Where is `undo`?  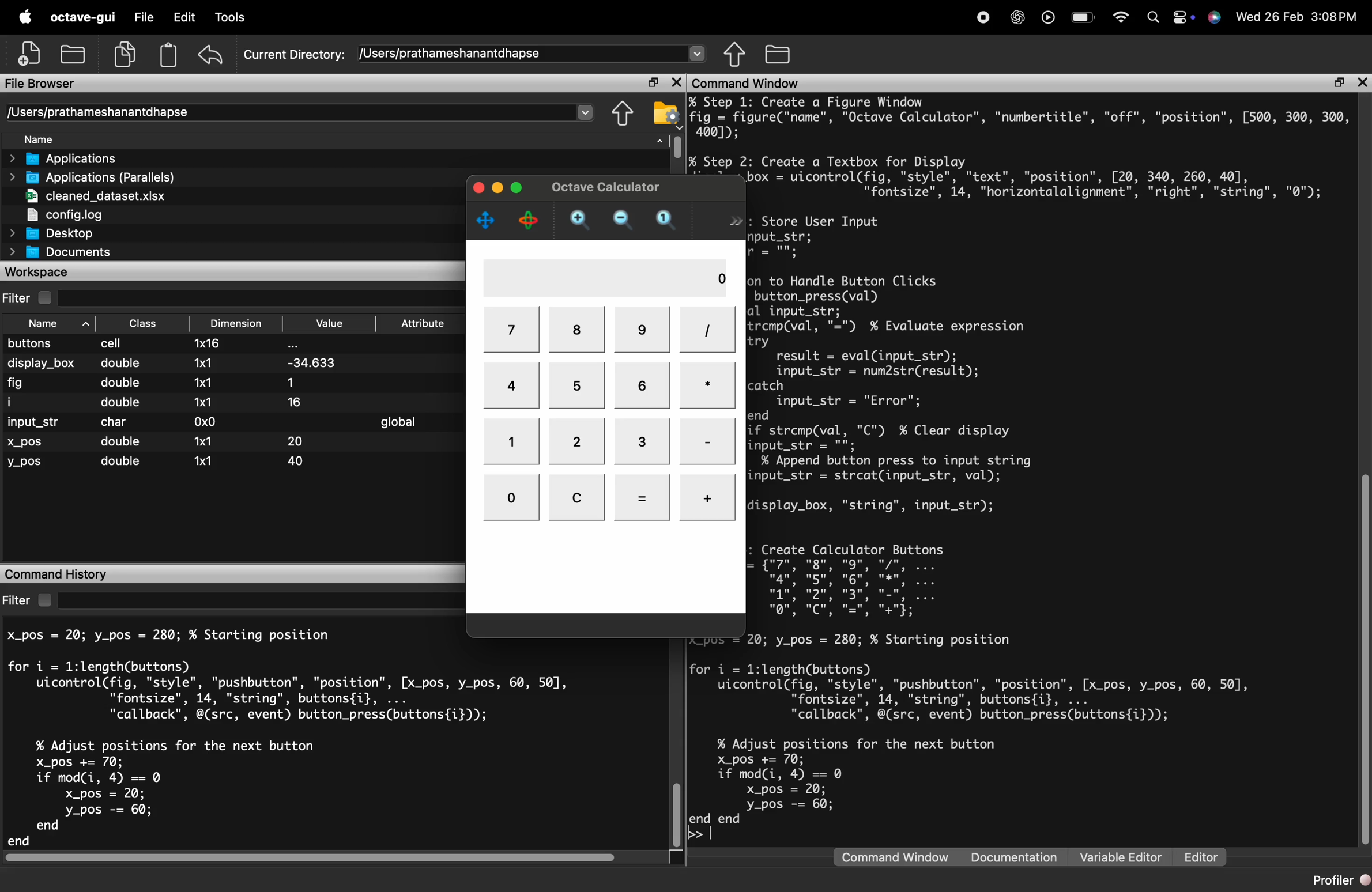 undo is located at coordinates (211, 55).